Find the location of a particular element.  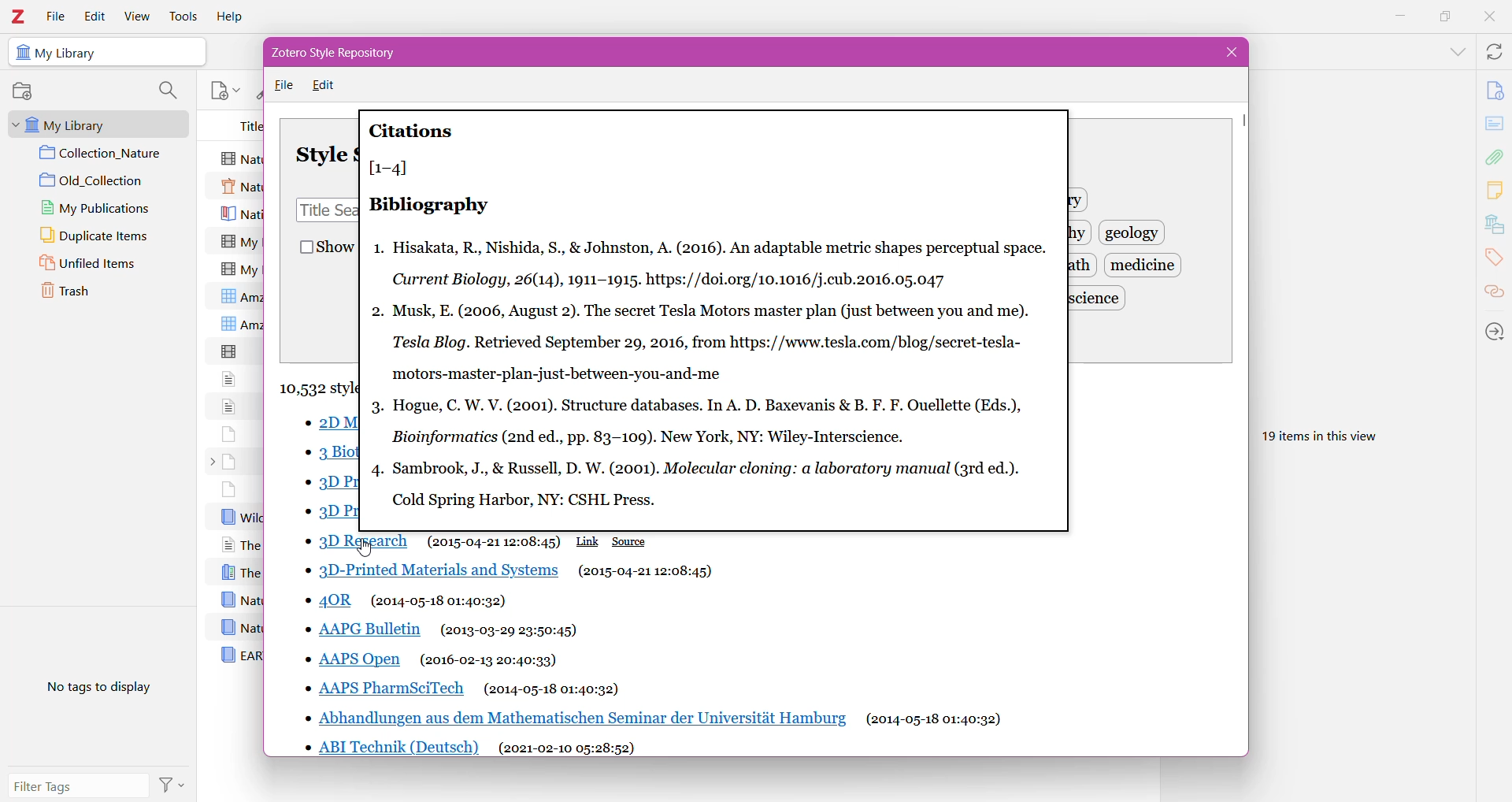

My Library is located at coordinates (94, 123).